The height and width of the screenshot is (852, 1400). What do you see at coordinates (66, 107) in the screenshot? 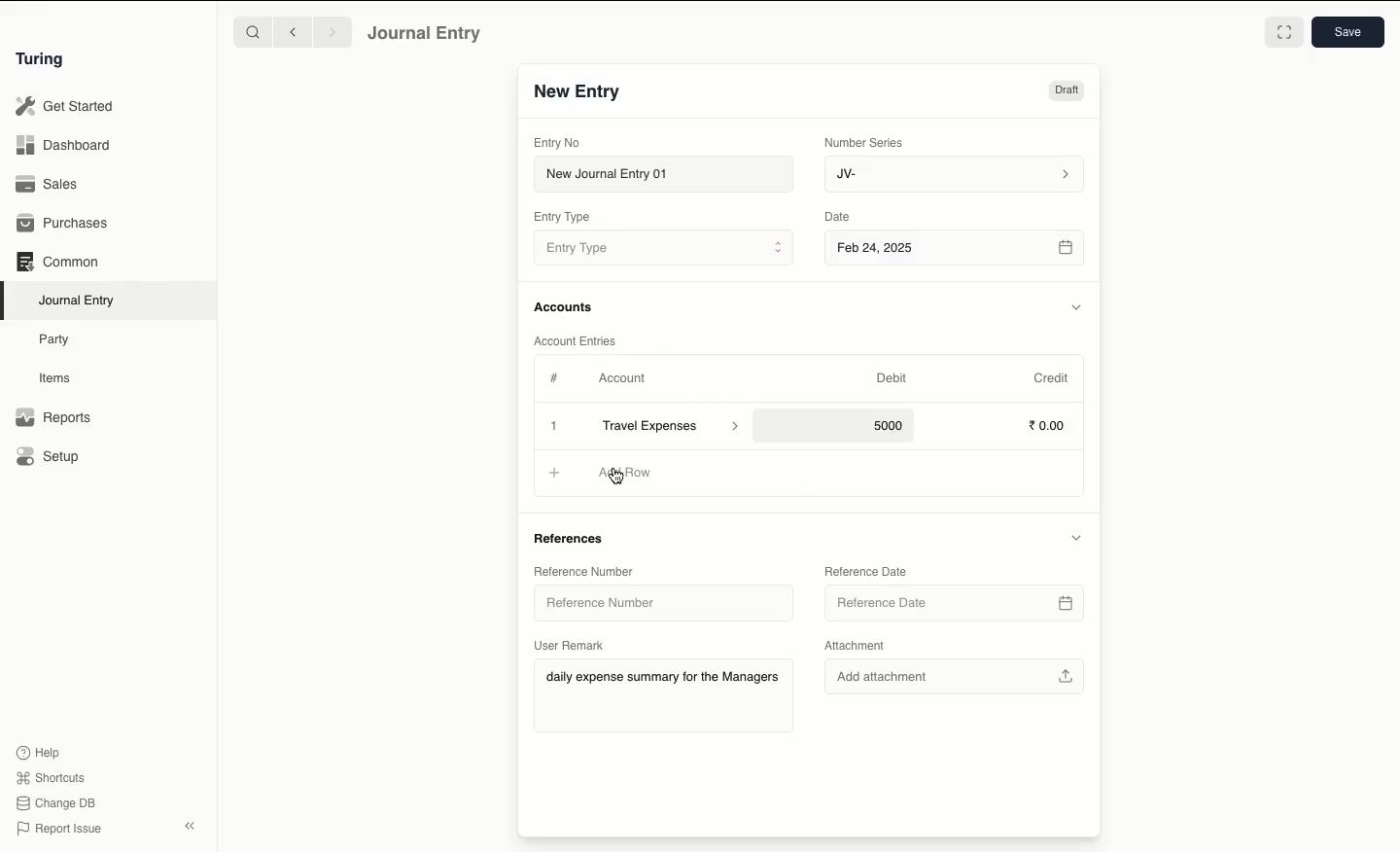
I see `Get Started` at bounding box center [66, 107].